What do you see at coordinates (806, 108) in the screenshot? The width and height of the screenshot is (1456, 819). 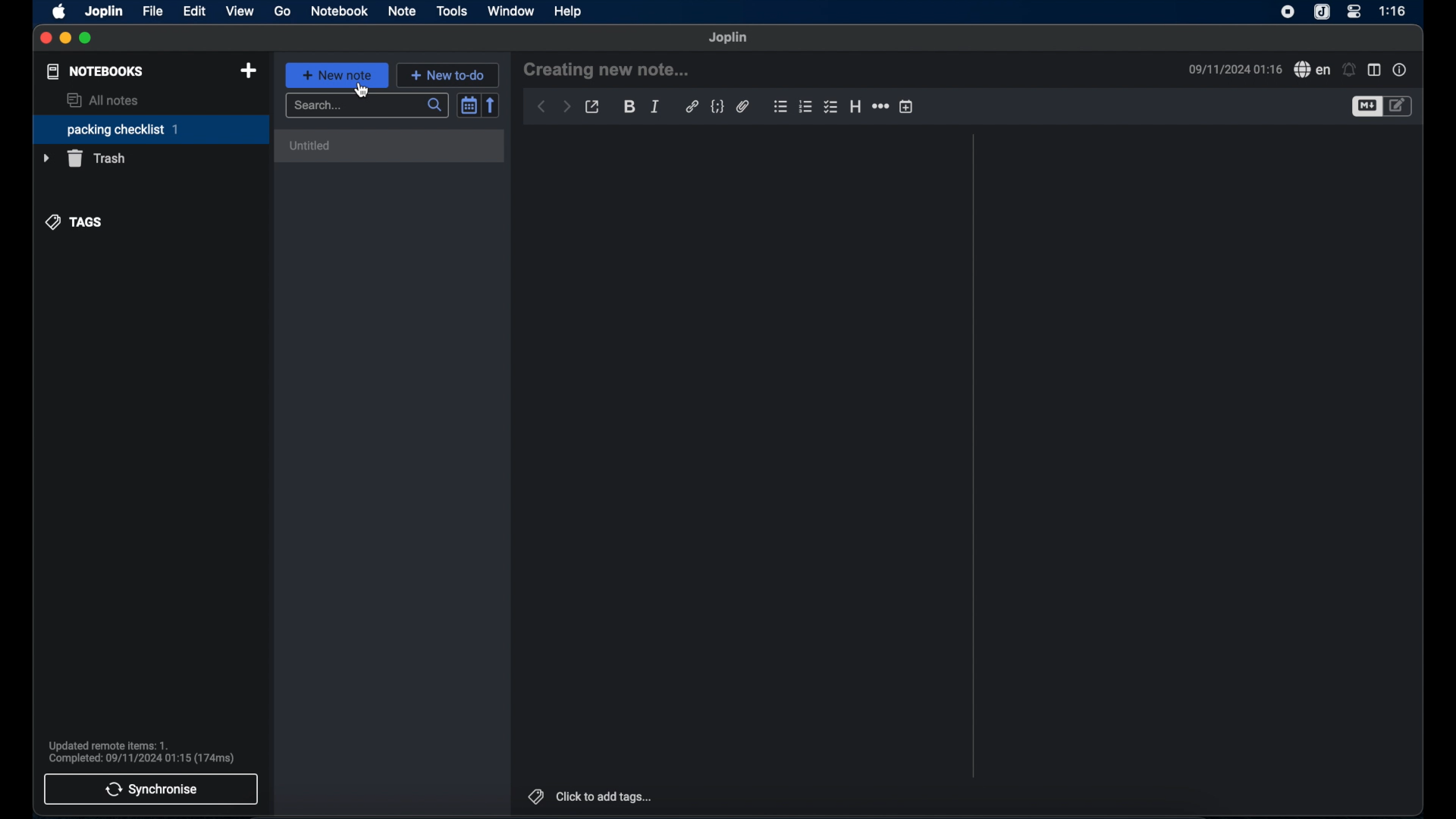 I see `numbered checklist` at bounding box center [806, 108].